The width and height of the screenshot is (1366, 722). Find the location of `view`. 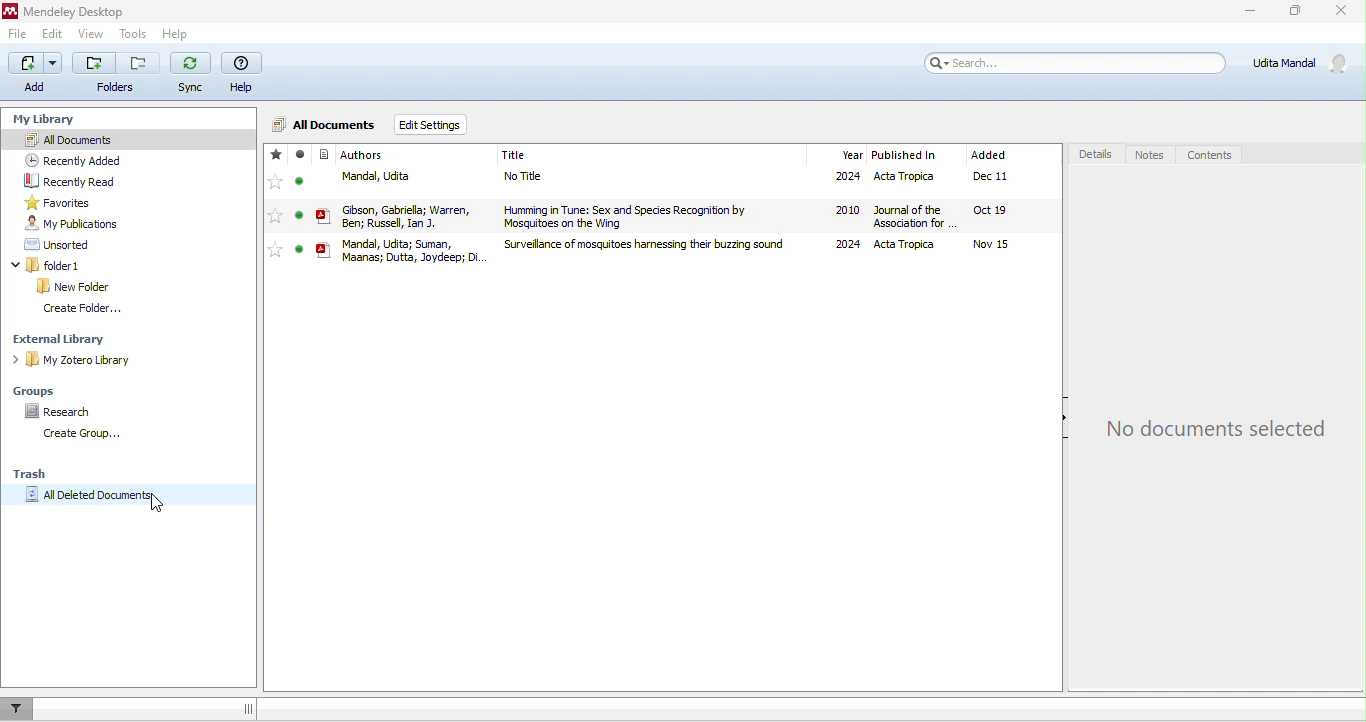

view is located at coordinates (90, 35).